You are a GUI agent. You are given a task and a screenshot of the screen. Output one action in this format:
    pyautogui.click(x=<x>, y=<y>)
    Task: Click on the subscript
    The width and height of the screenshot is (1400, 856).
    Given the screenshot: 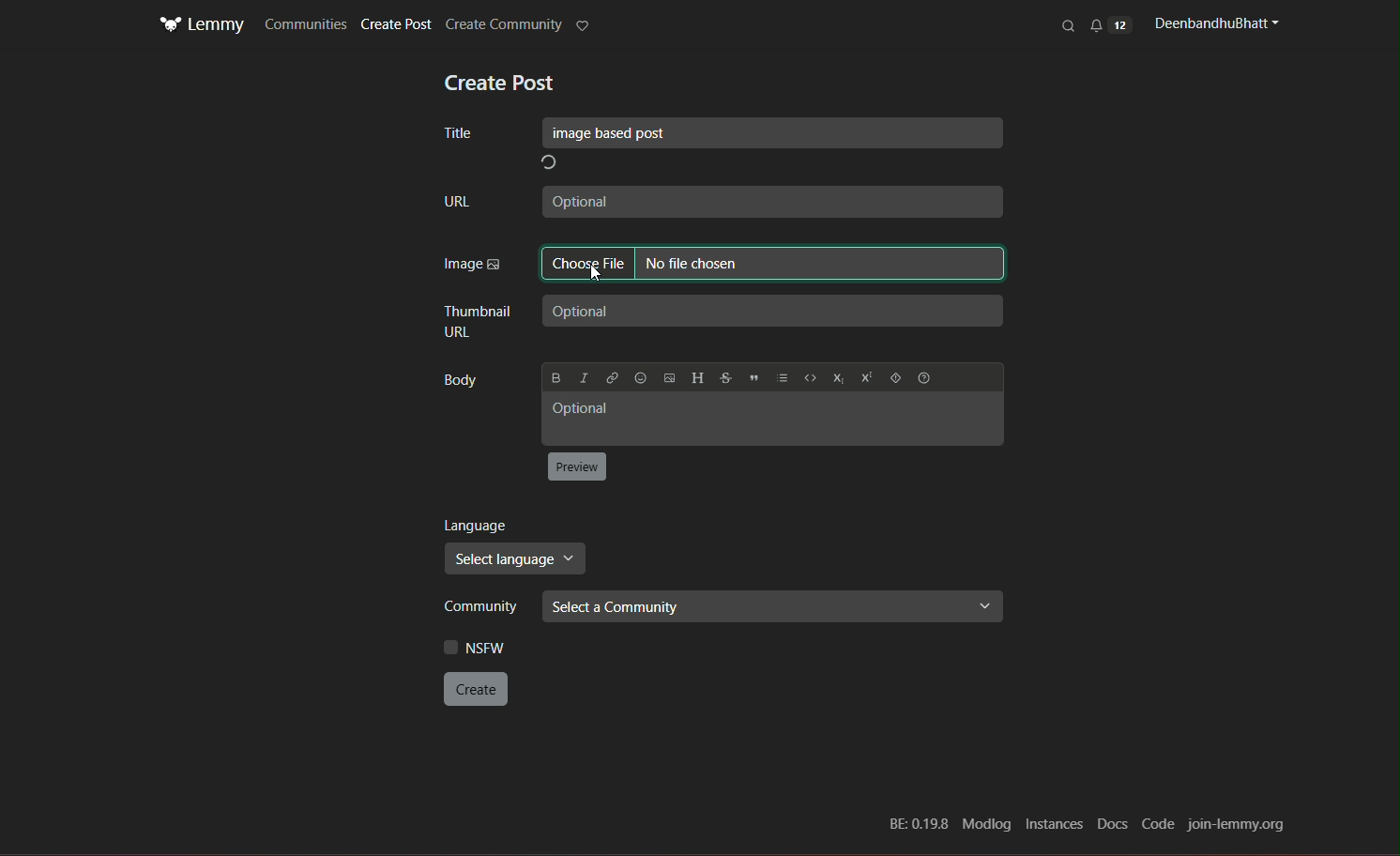 What is the action you would take?
    pyautogui.click(x=839, y=376)
    